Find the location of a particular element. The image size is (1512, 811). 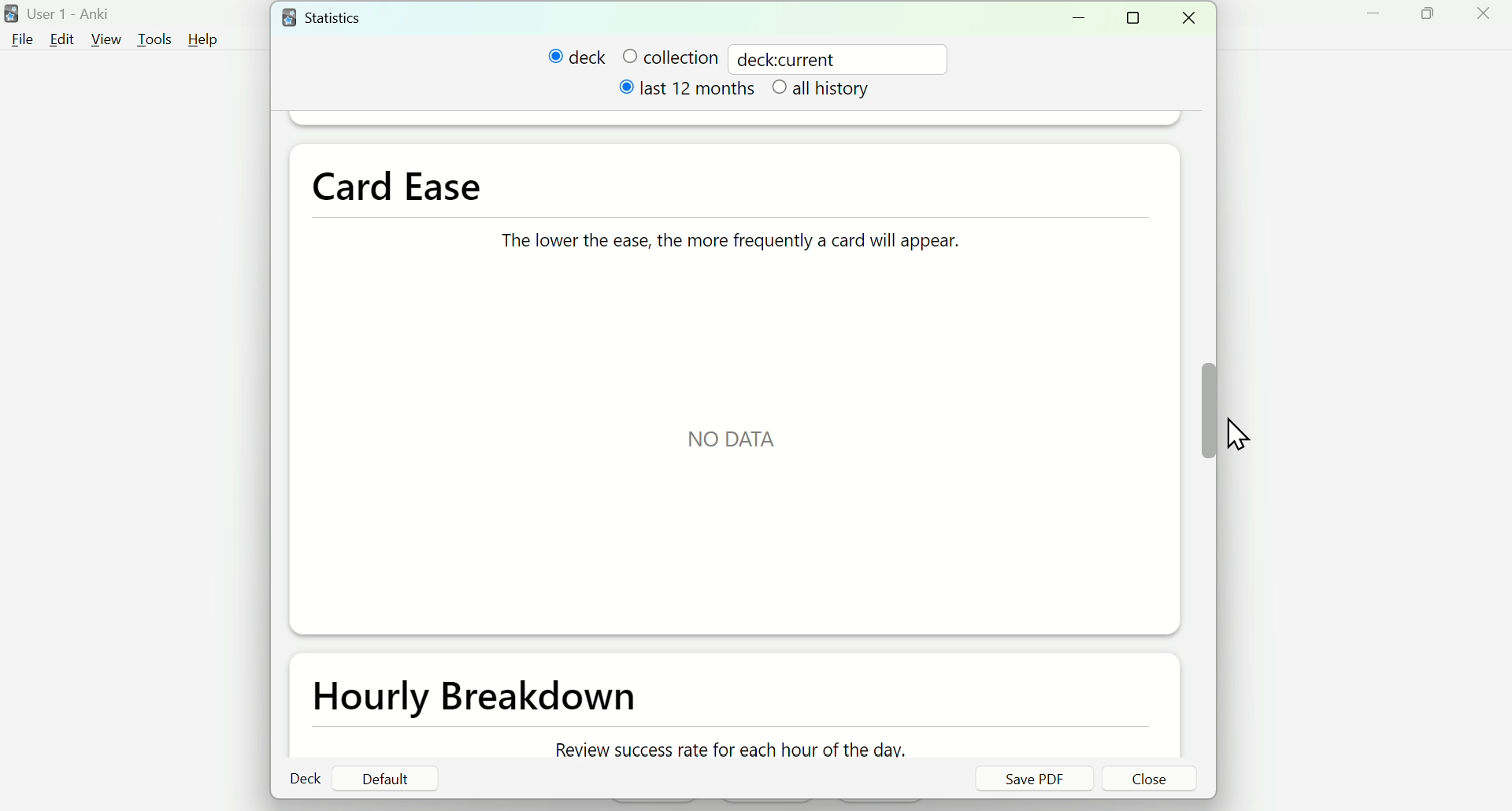

View is located at coordinates (107, 37).